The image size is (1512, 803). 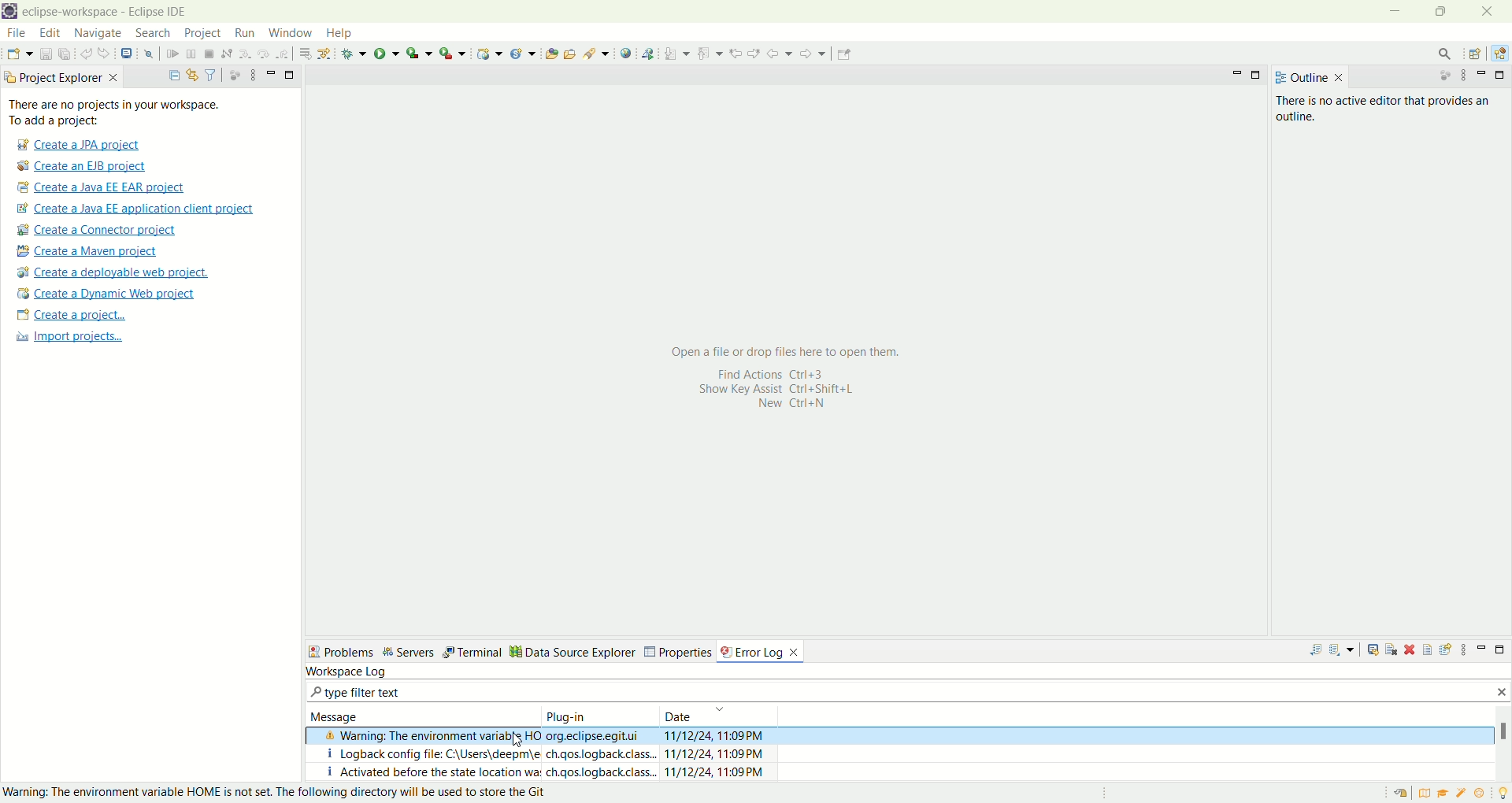 What do you see at coordinates (1479, 651) in the screenshot?
I see `minimize` at bounding box center [1479, 651].